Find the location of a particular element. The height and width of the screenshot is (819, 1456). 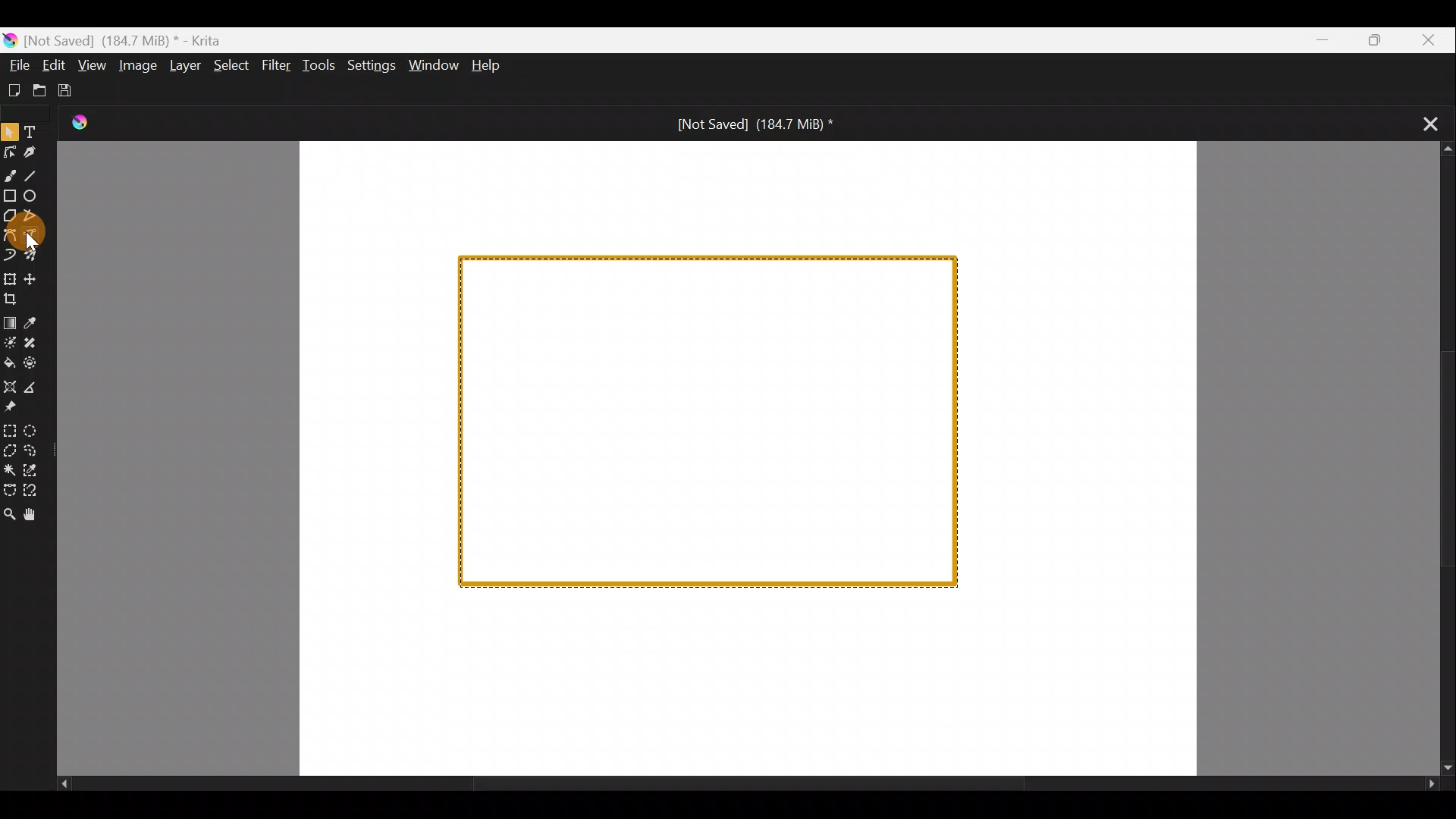

Cursor is located at coordinates (59, 238).